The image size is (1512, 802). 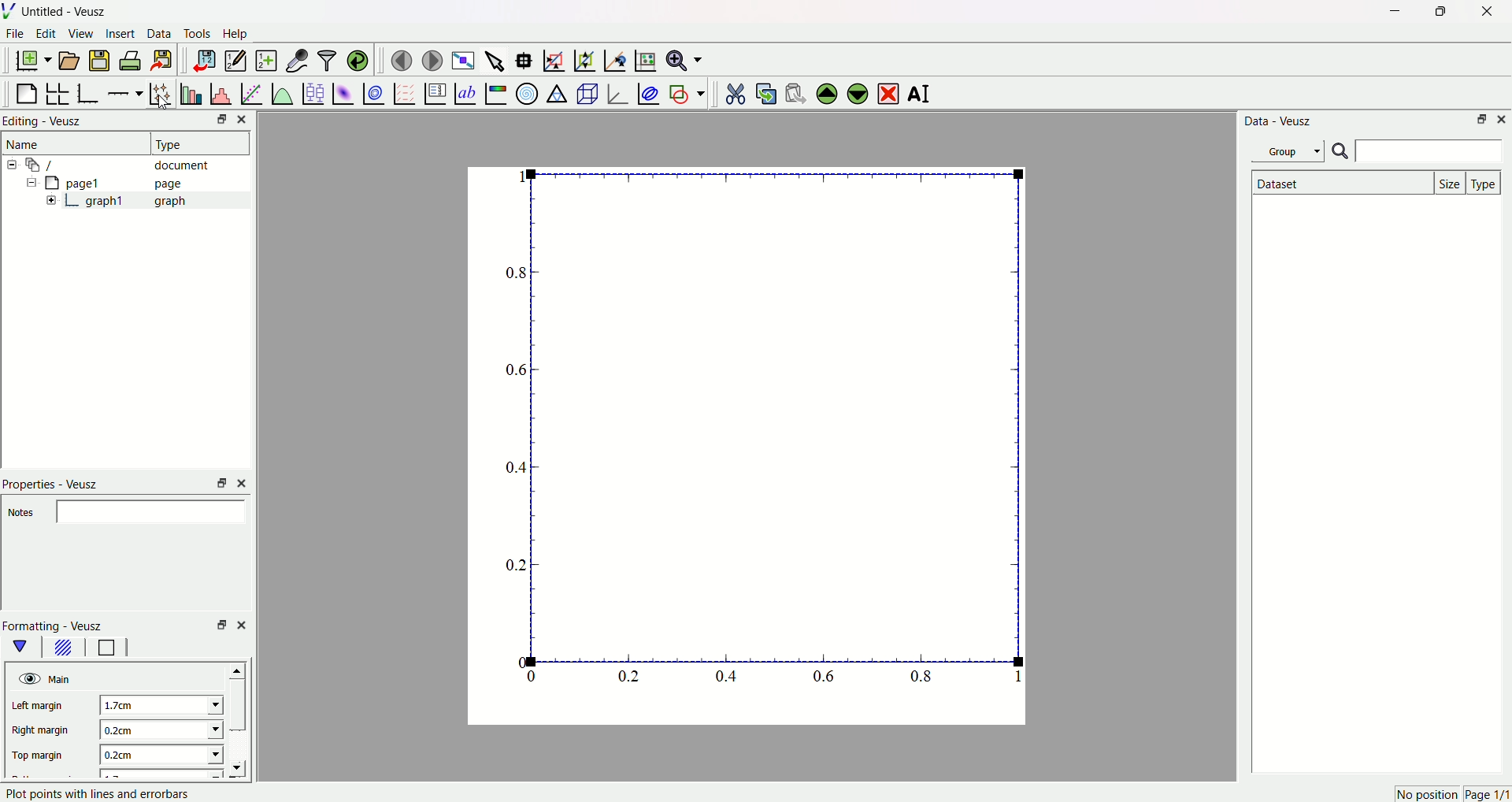 What do you see at coordinates (686, 93) in the screenshot?
I see `add a shape ` at bounding box center [686, 93].